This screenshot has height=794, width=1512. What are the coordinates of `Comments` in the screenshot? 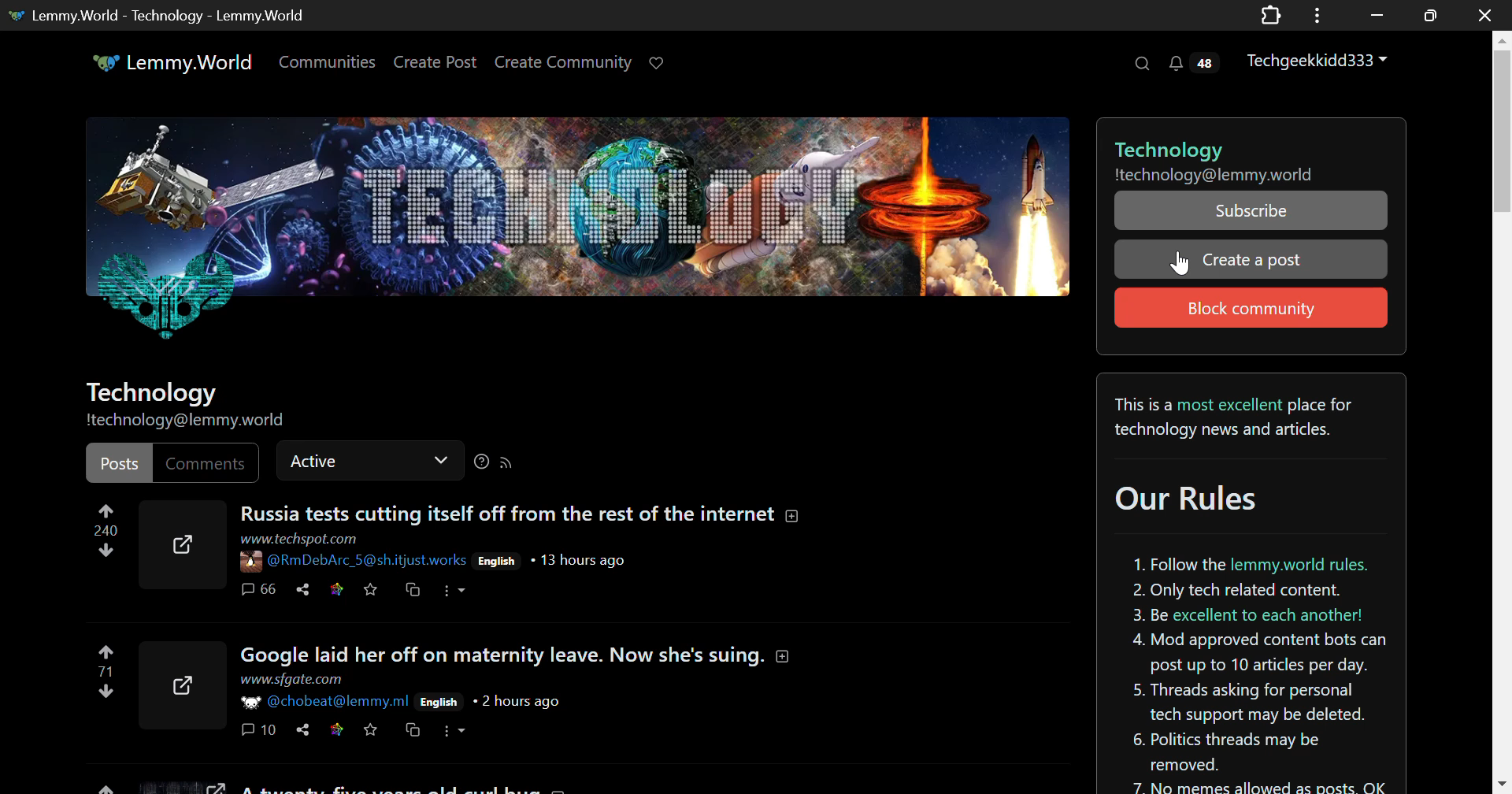 It's located at (258, 732).